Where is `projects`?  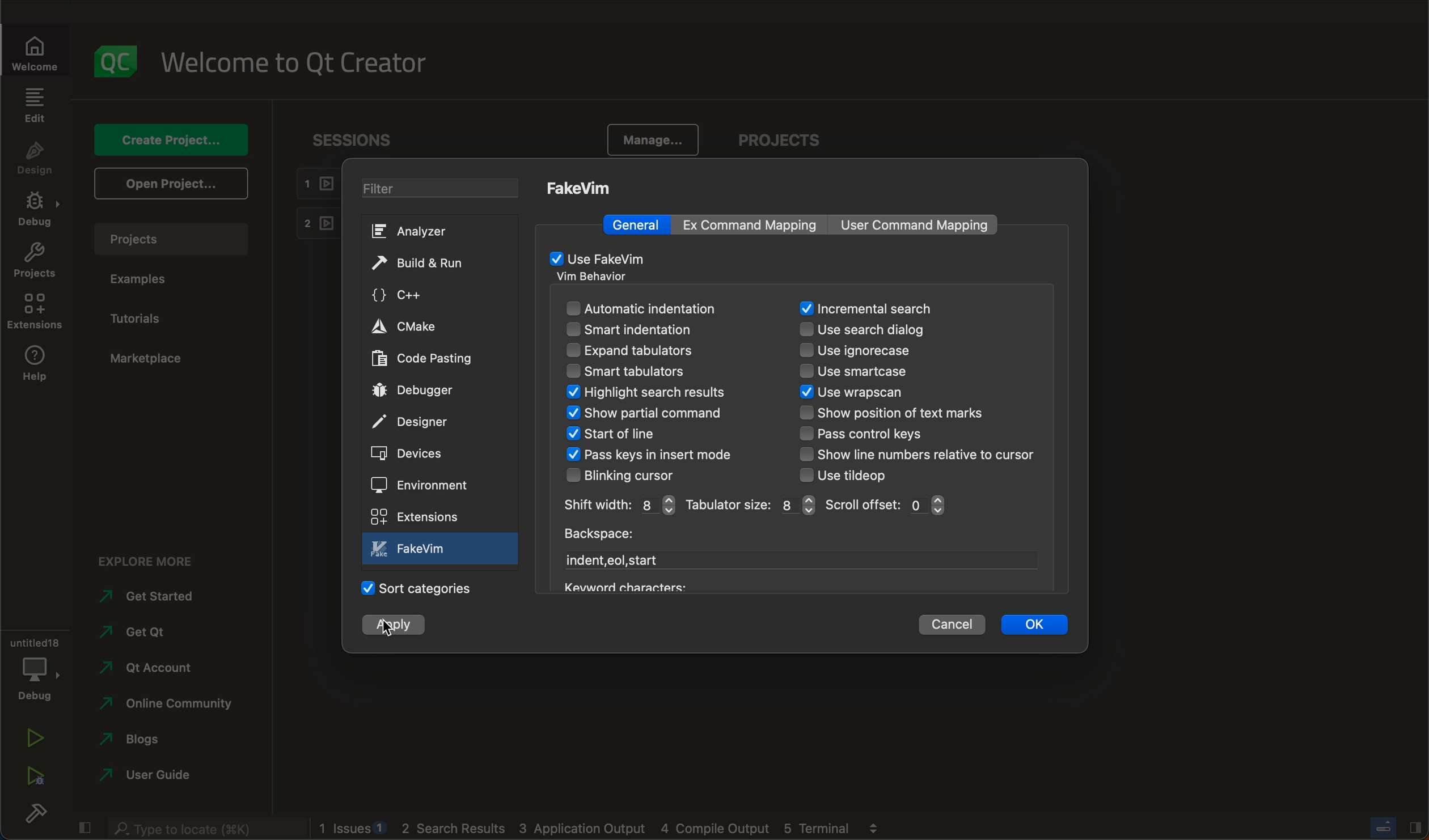 projects is located at coordinates (37, 260).